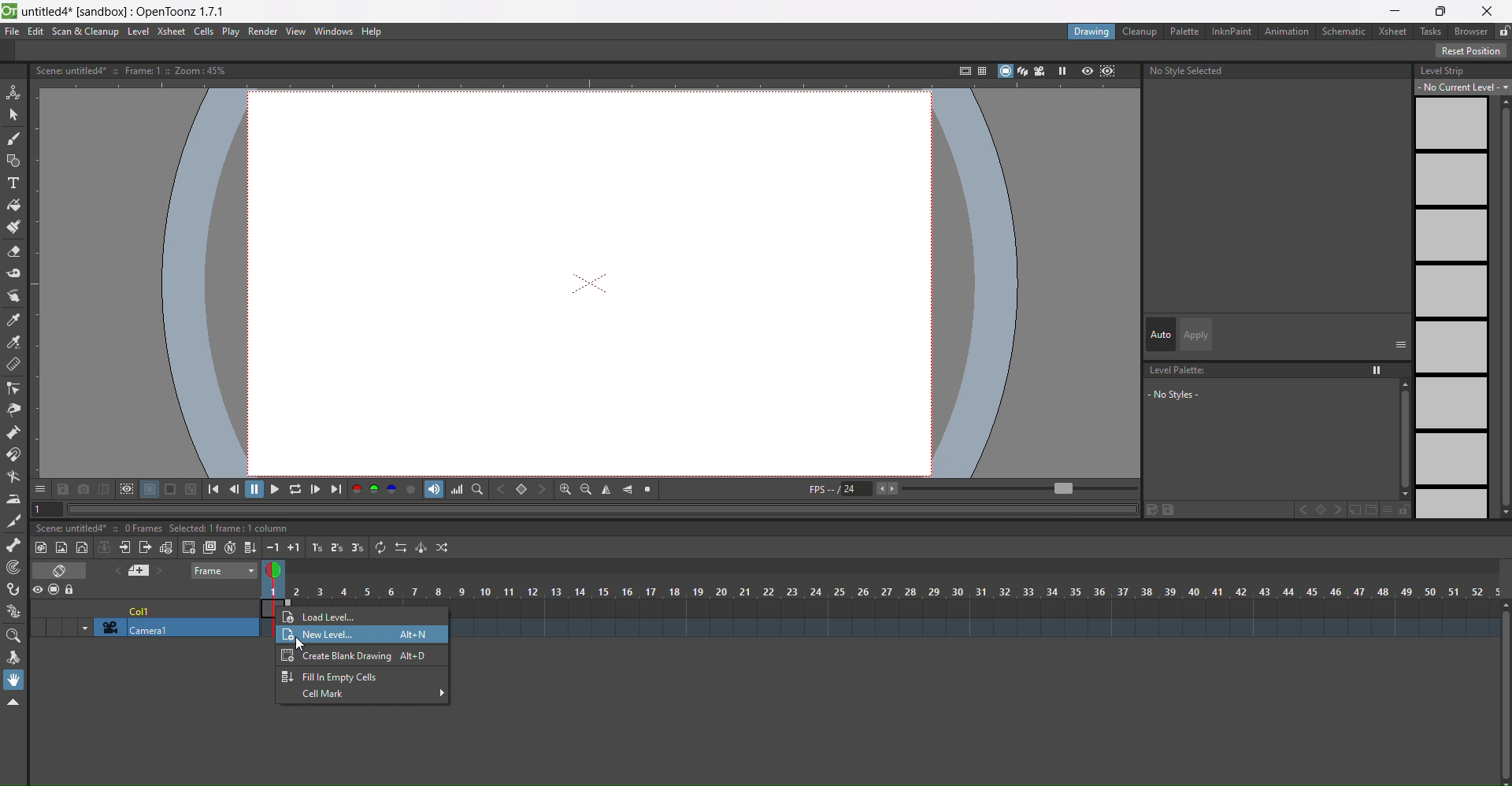 The height and width of the screenshot is (786, 1512). Describe the element at coordinates (125, 12) in the screenshot. I see `file name app name and version` at that location.